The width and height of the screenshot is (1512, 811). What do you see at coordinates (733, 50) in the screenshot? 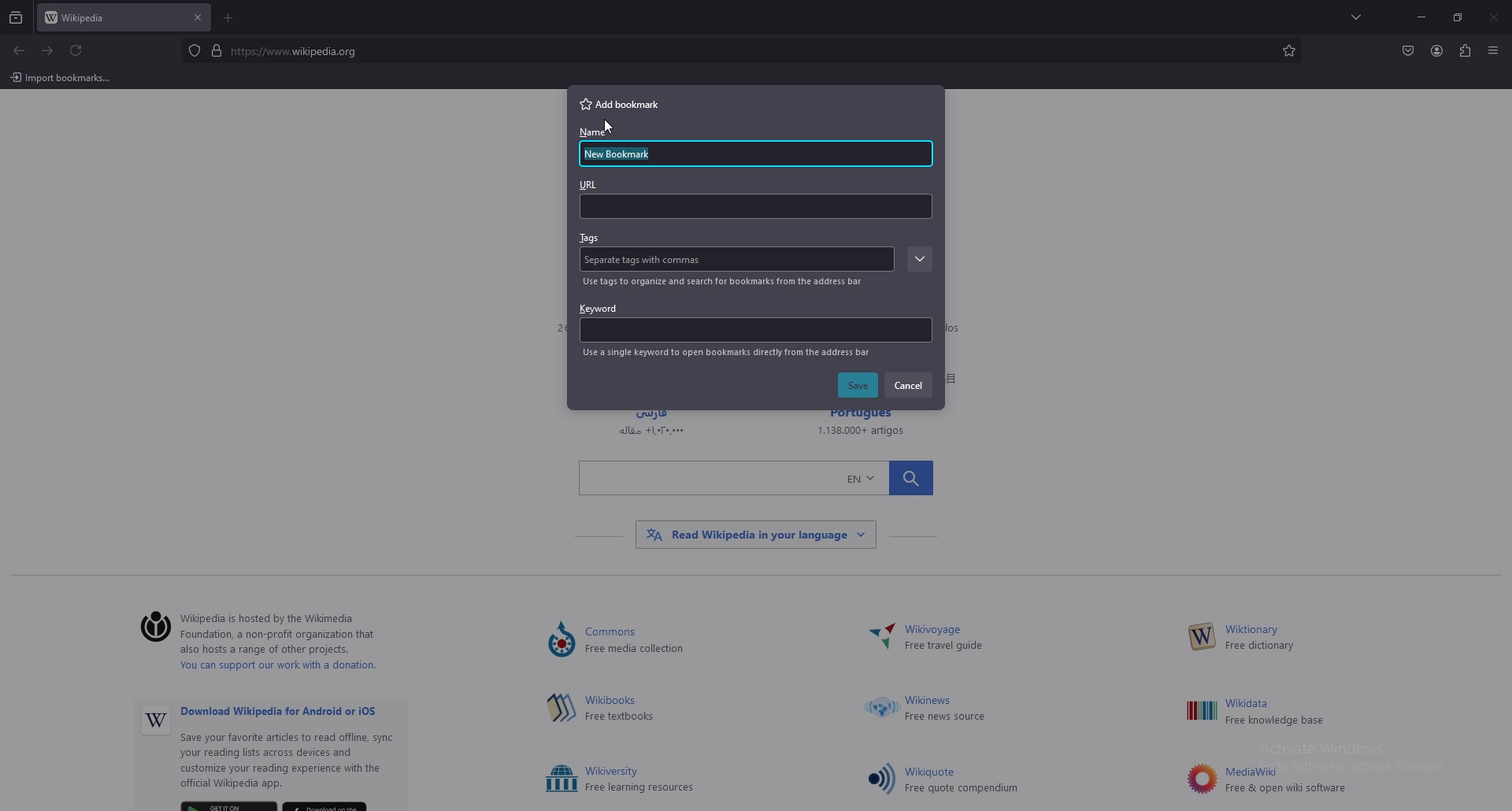
I see `search bar` at bounding box center [733, 50].